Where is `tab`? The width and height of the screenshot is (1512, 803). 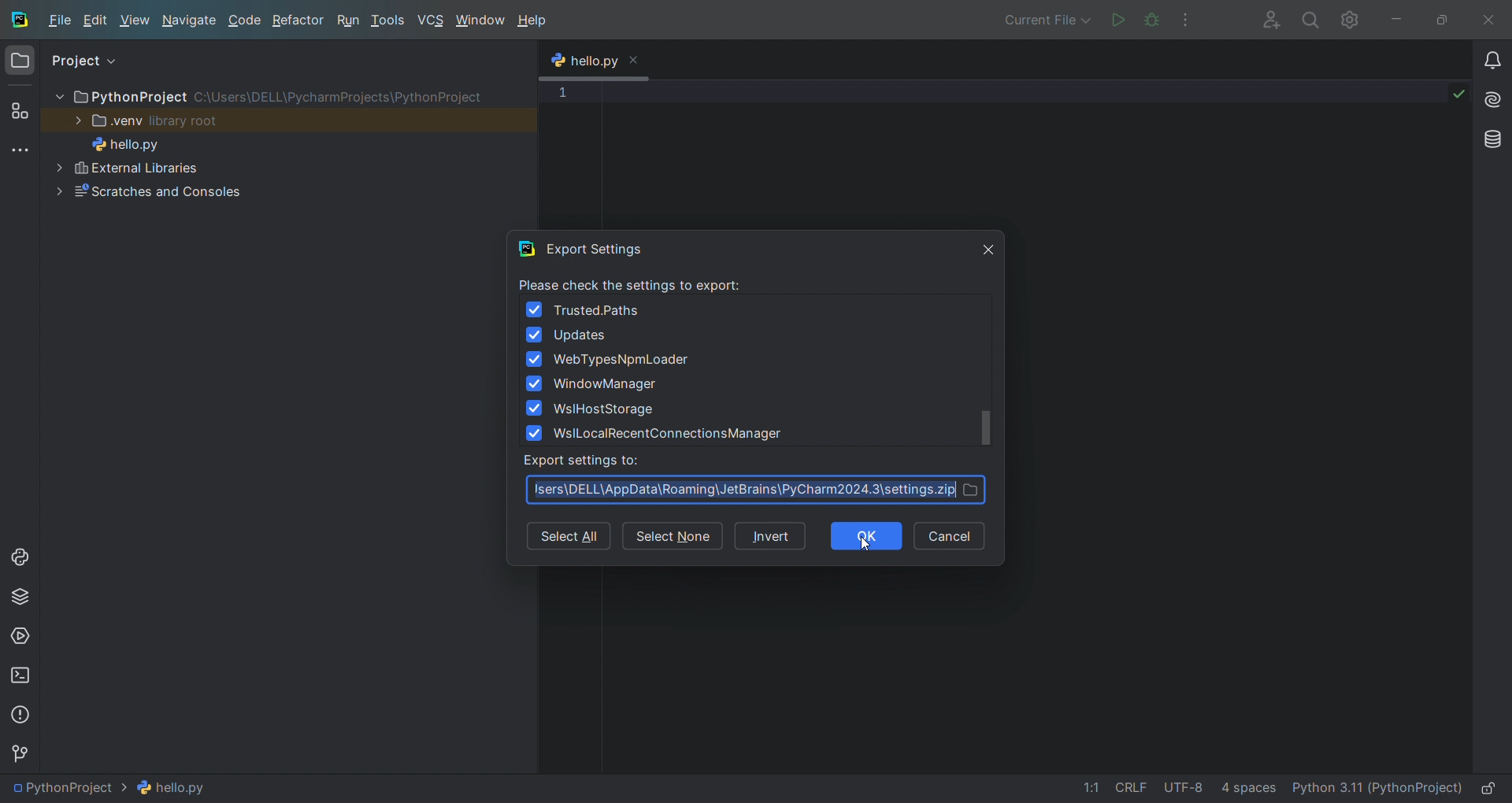 tab is located at coordinates (595, 62).